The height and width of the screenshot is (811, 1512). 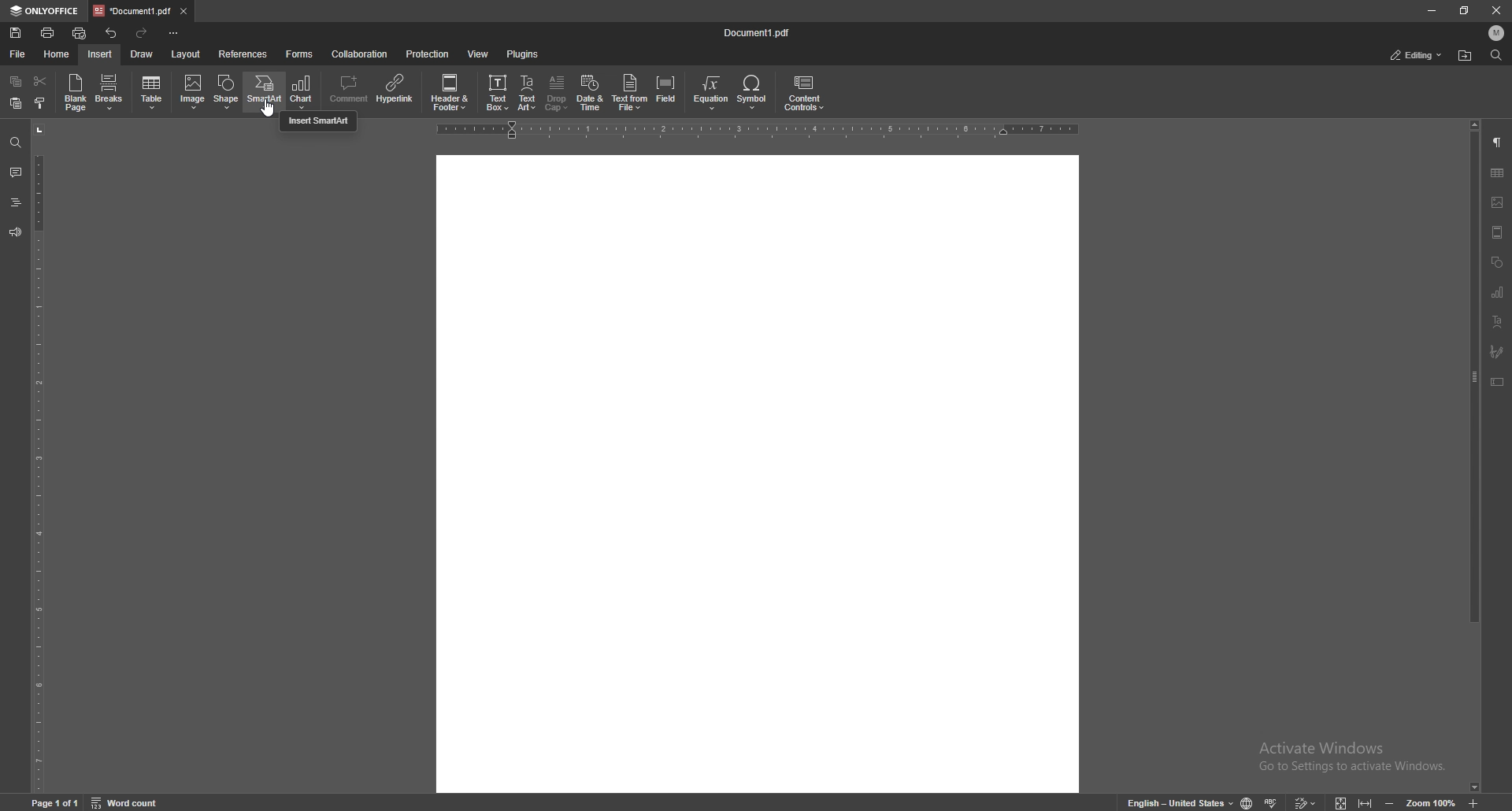 What do you see at coordinates (558, 92) in the screenshot?
I see `drop cap` at bounding box center [558, 92].